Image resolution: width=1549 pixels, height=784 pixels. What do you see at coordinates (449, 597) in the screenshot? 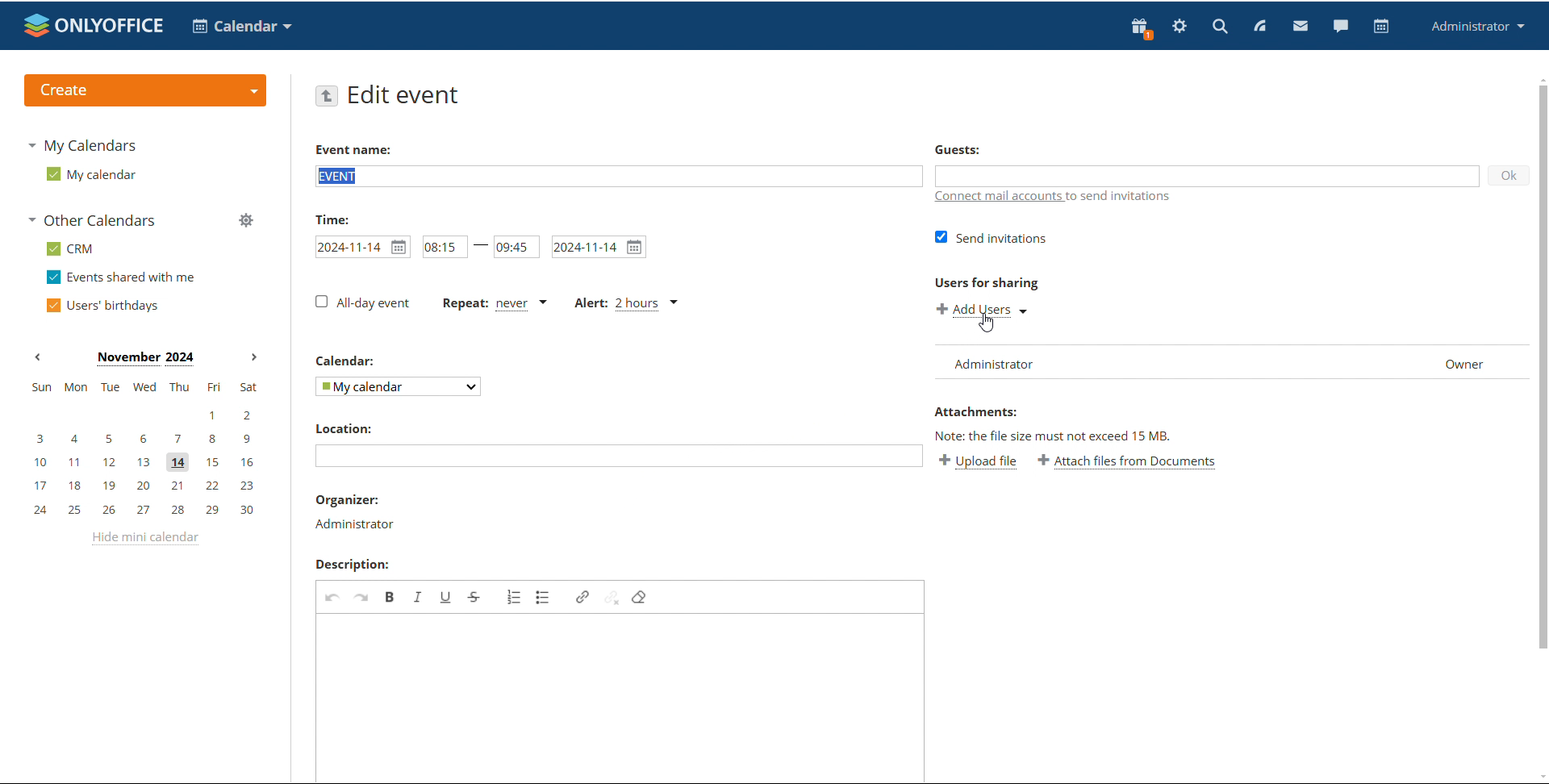
I see `underline` at bounding box center [449, 597].